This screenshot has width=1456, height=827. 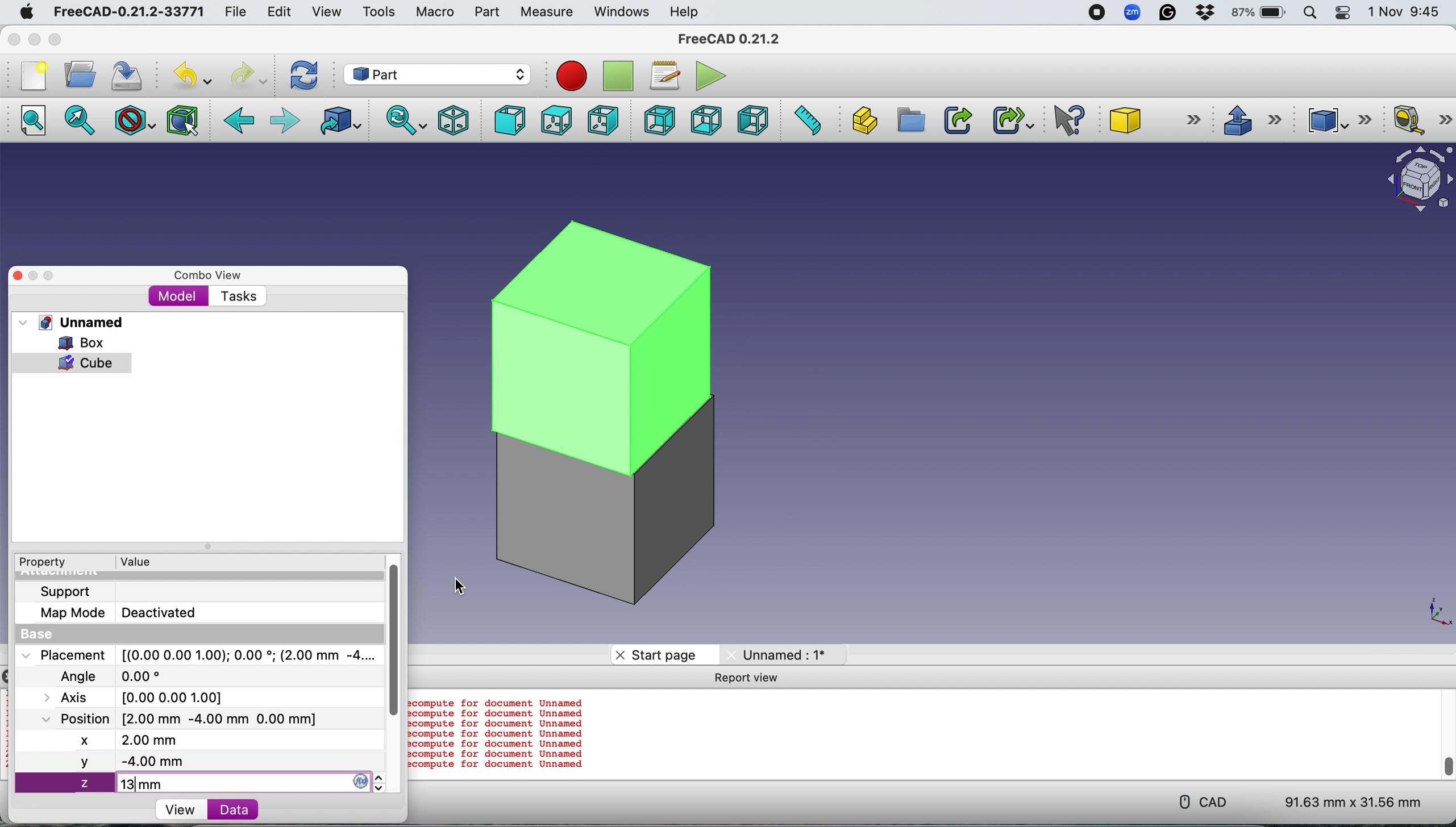 What do you see at coordinates (614, 408) in the screenshot?
I see `cube over box` at bounding box center [614, 408].